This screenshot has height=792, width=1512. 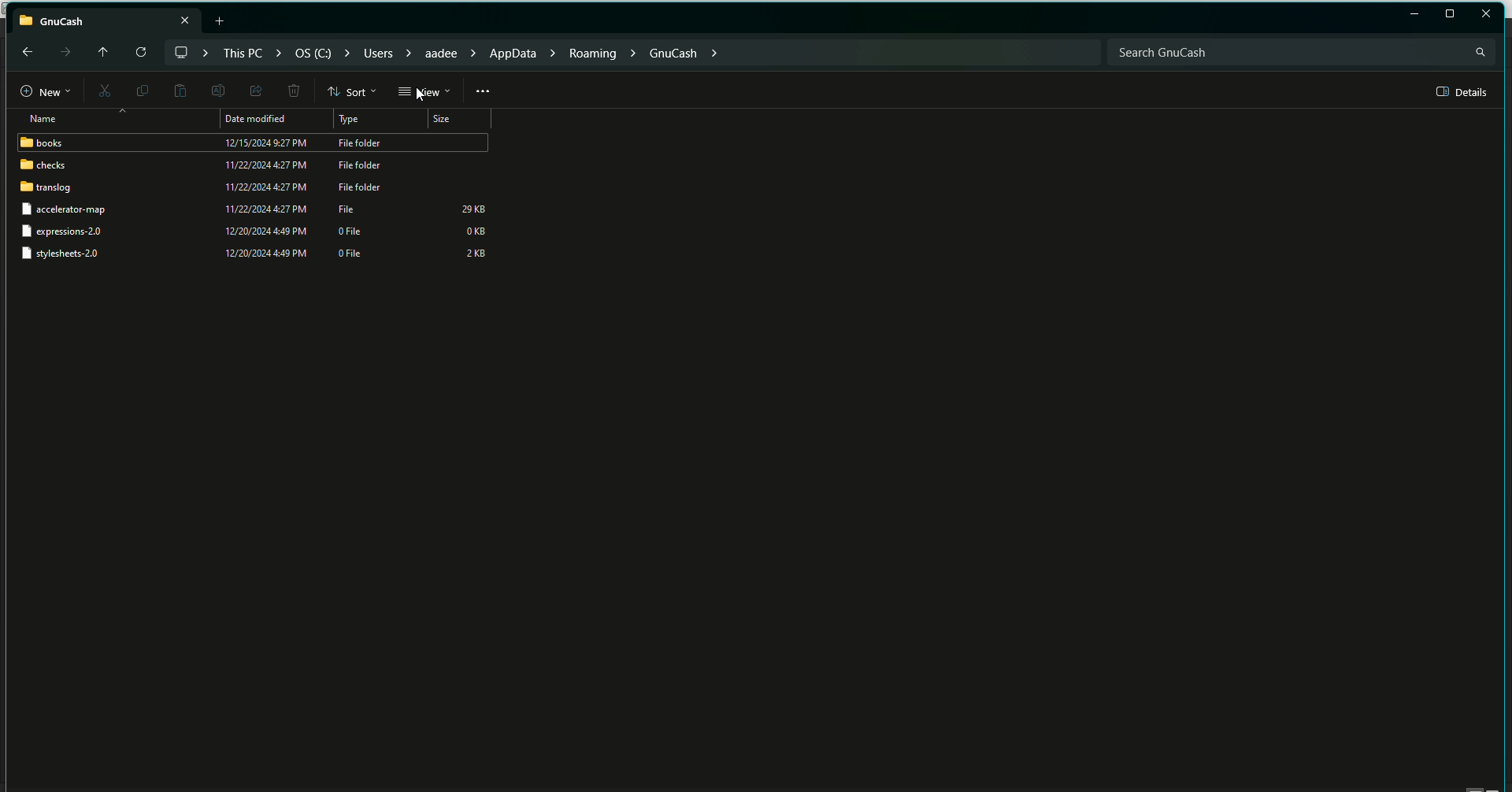 What do you see at coordinates (475, 231) in the screenshot?
I see `File size` at bounding box center [475, 231].